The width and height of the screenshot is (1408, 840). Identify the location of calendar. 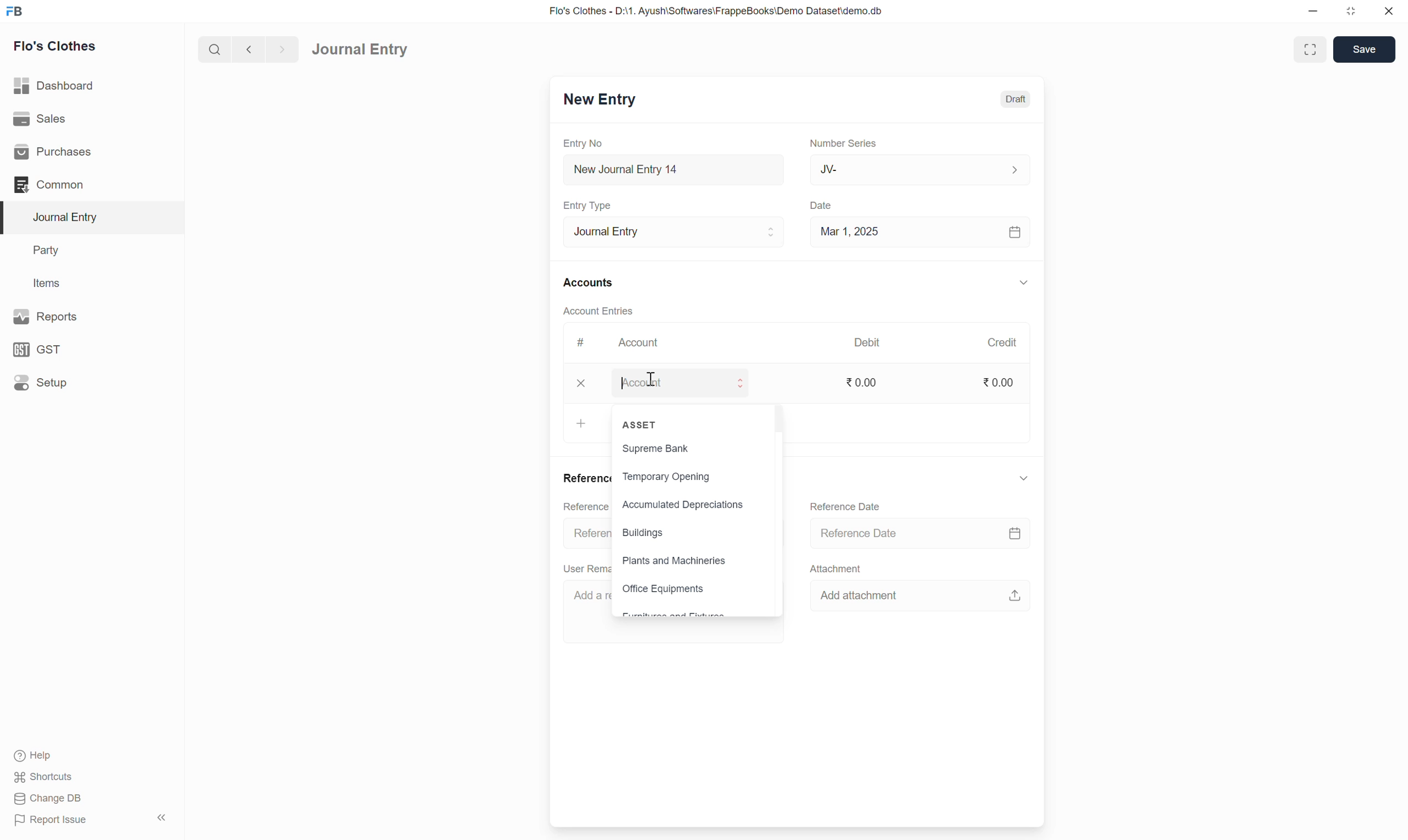
(1016, 233).